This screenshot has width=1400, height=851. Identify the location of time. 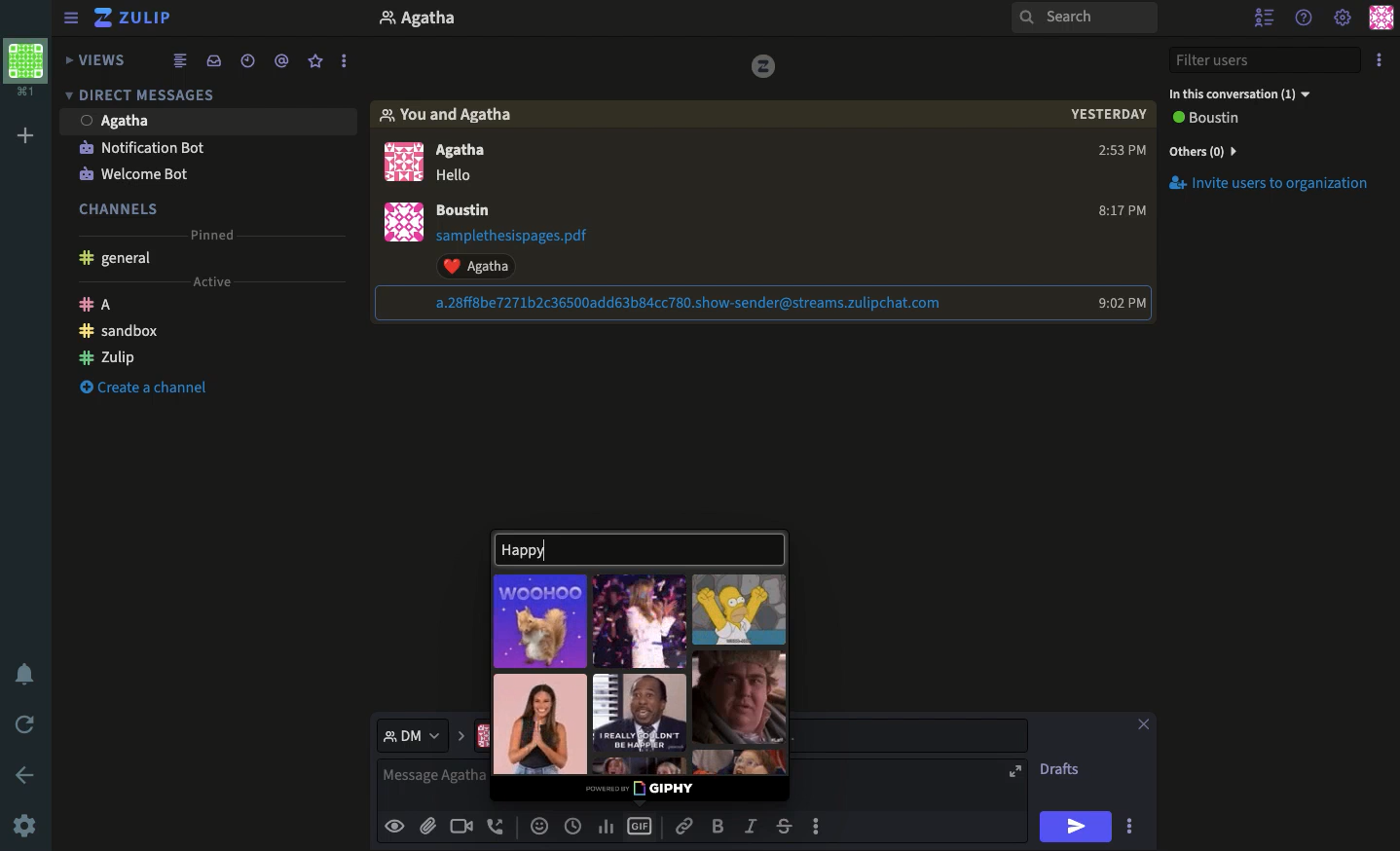
(1115, 153).